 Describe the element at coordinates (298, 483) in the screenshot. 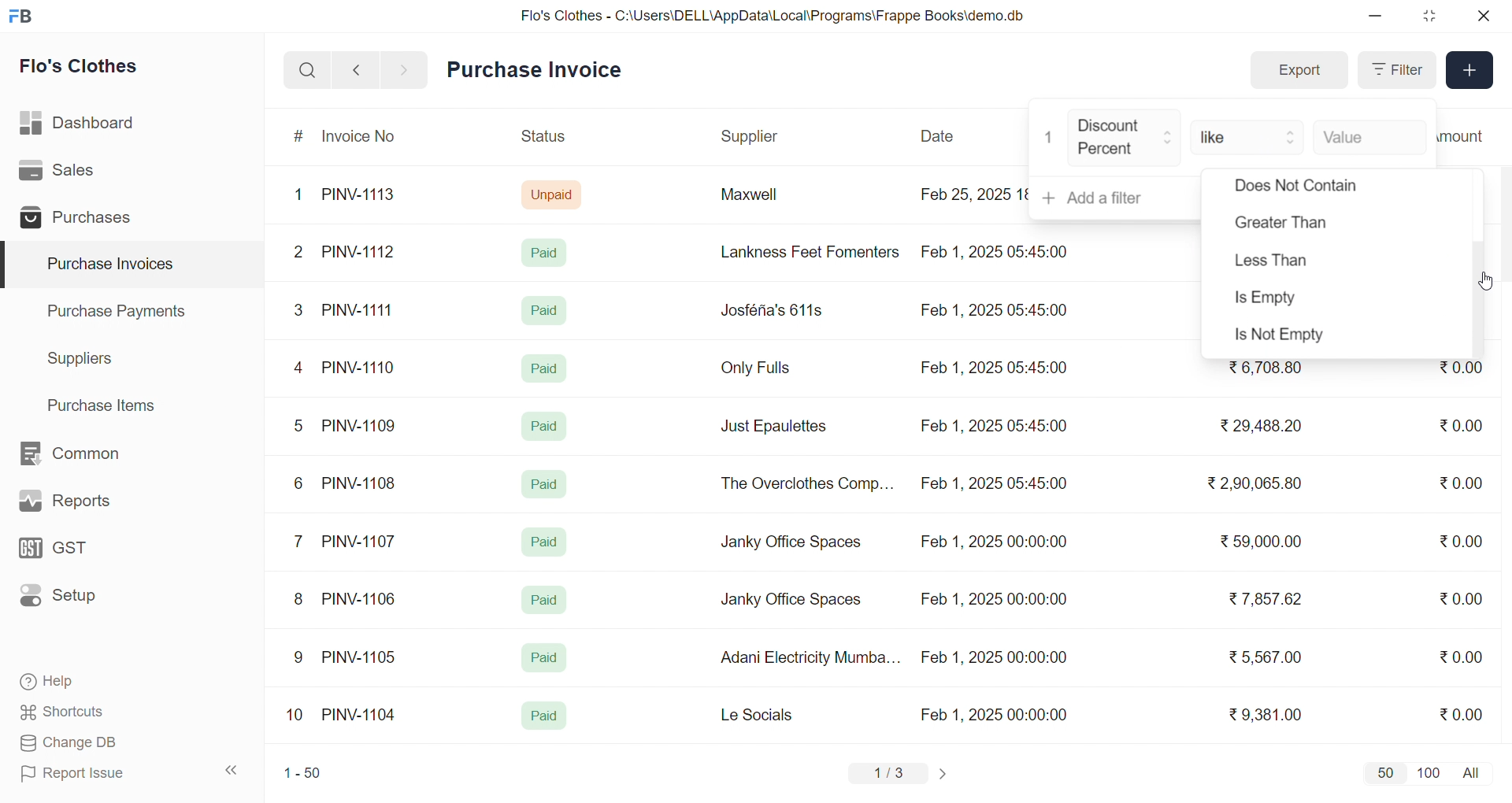

I see `6` at that location.